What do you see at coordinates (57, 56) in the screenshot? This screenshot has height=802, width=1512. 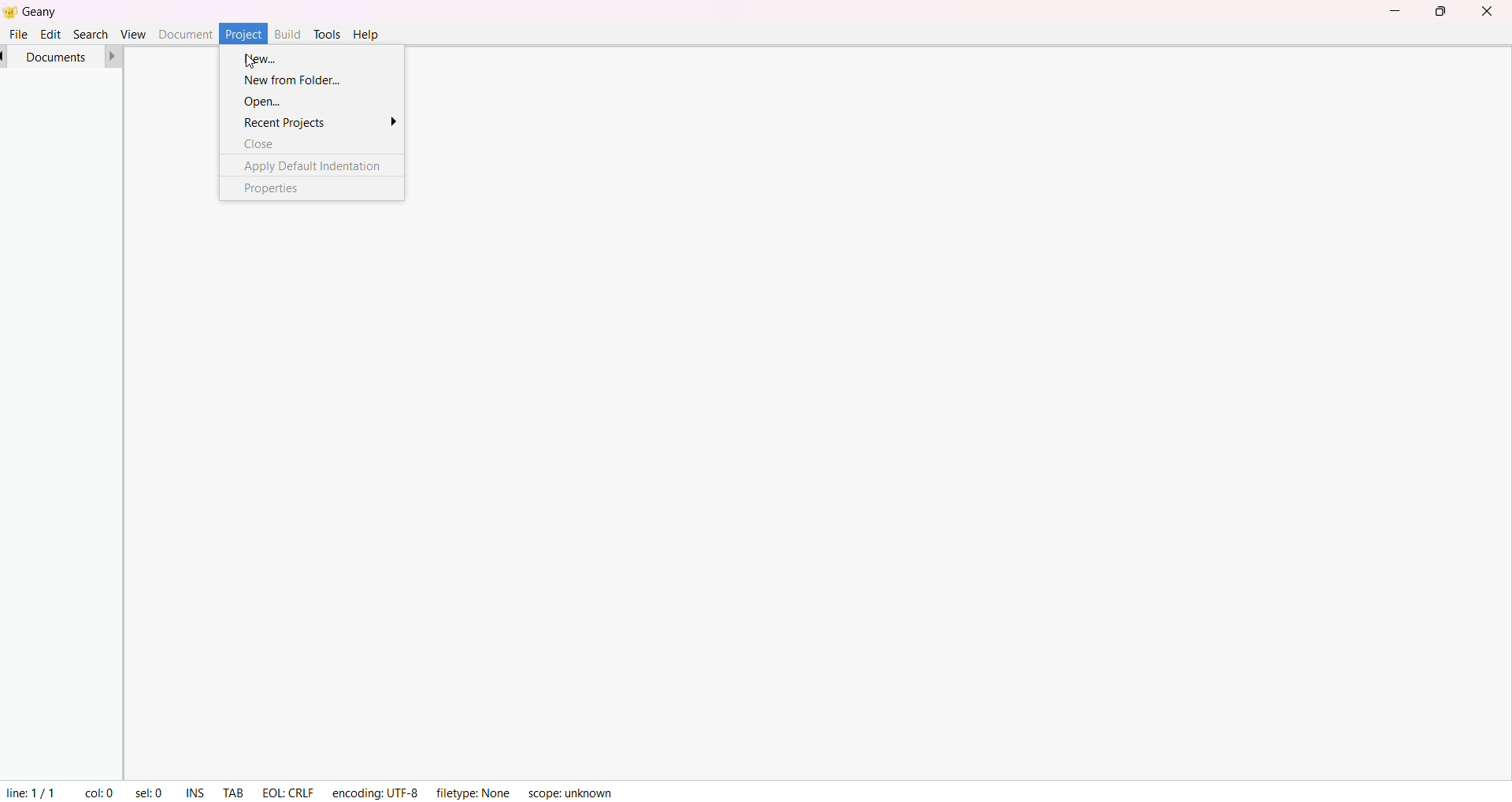 I see `documents` at bounding box center [57, 56].